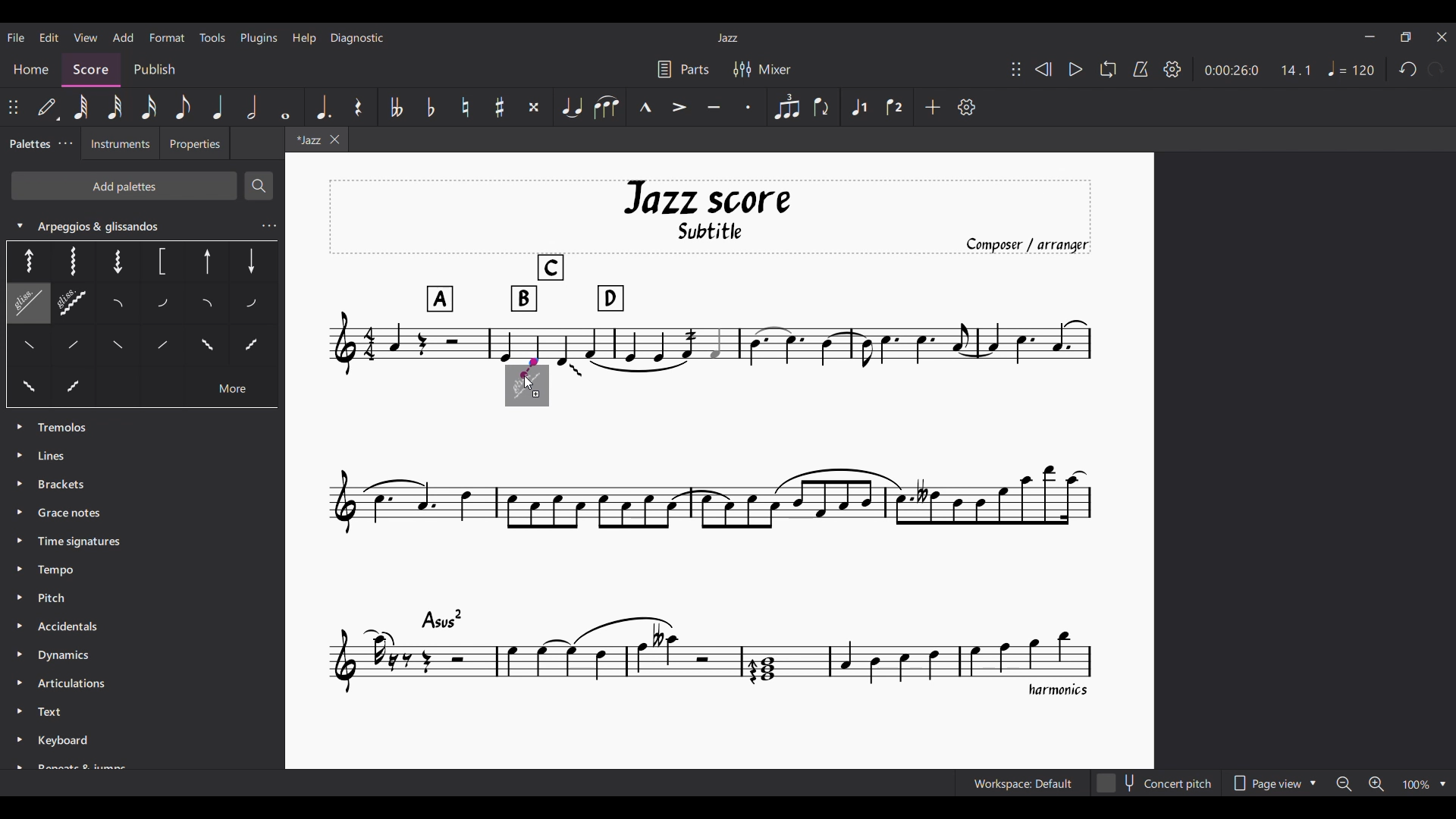 Image resolution: width=1456 pixels, height=819 pixels. Describe the element at coordinates (359, 107) in the screenshot. I see `Rest` at that location.